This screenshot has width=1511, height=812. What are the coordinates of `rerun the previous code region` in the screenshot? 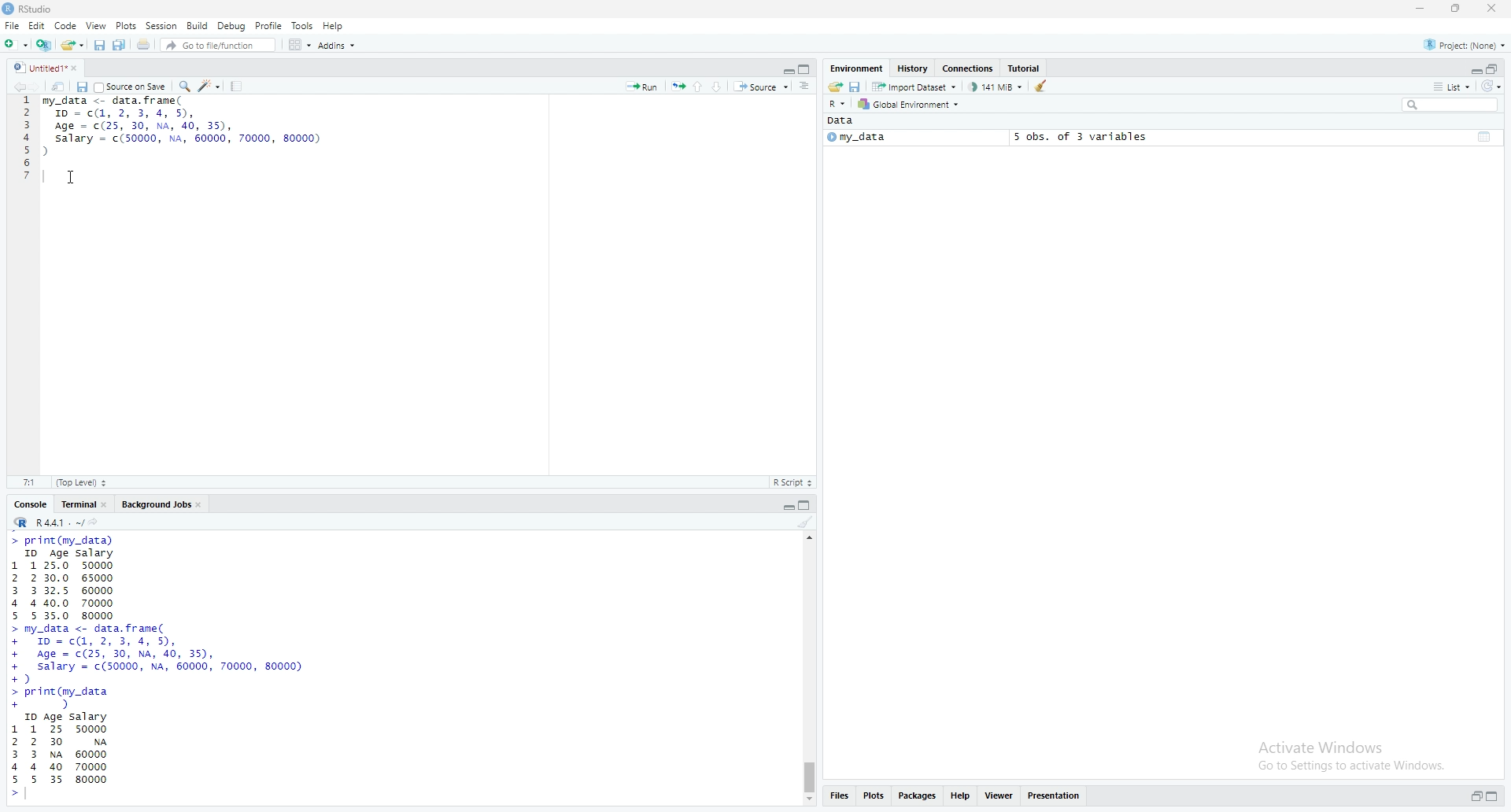 It's located at (678, 87).